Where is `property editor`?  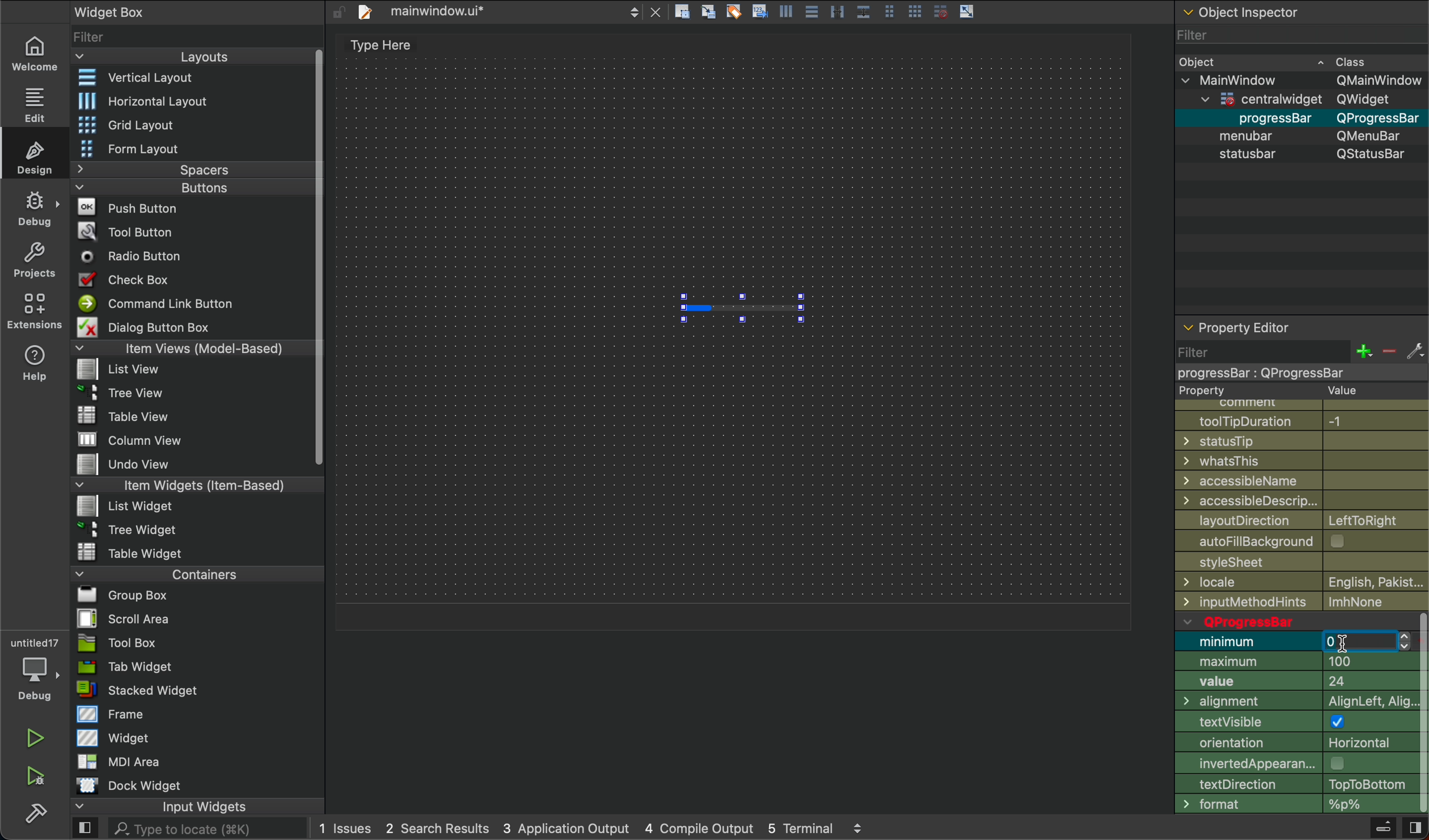
property editor is located at coordinates (1240, 323).